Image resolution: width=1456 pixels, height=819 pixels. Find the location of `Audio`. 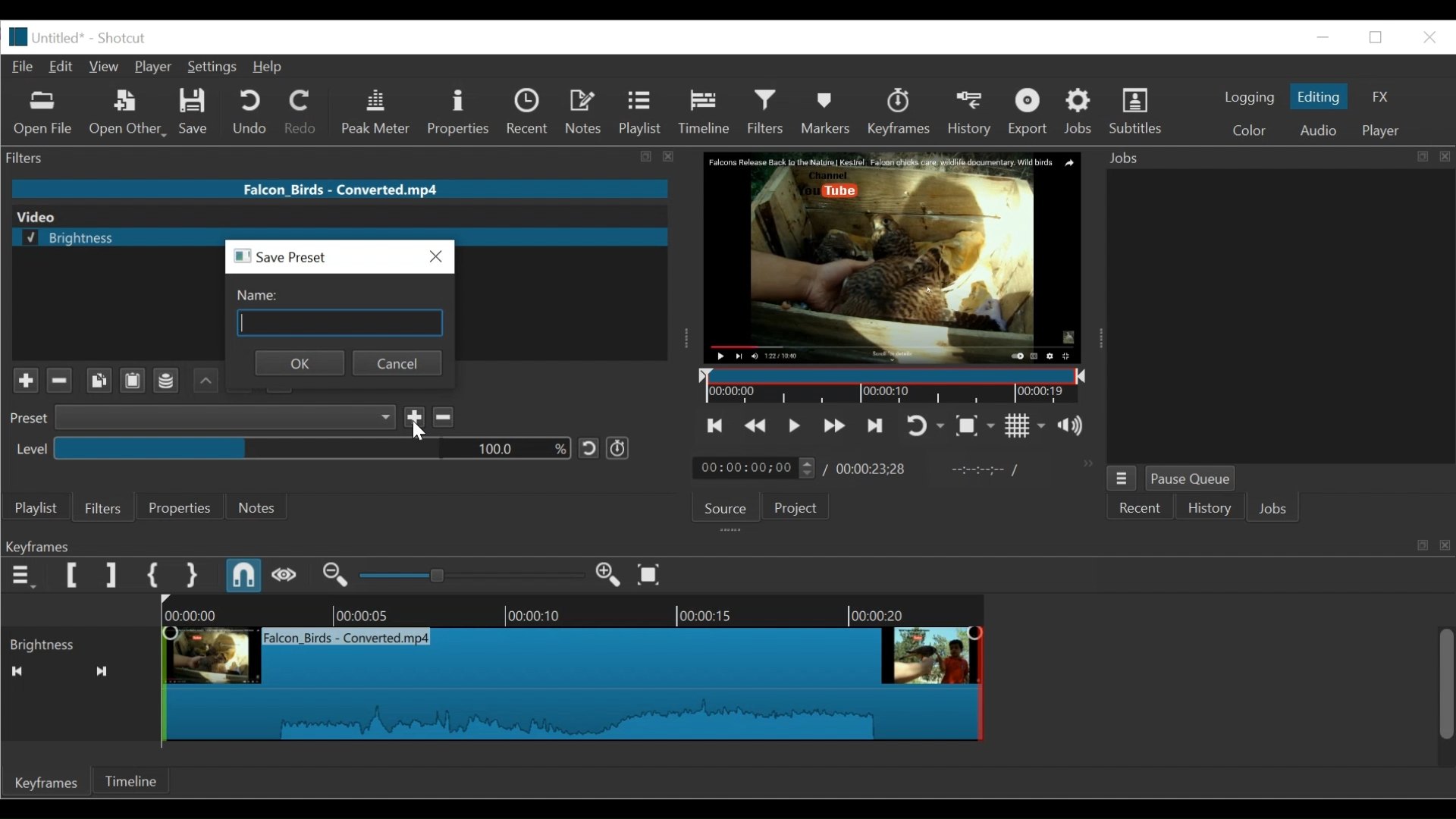

Audio is located at coordinates (1321, 130).